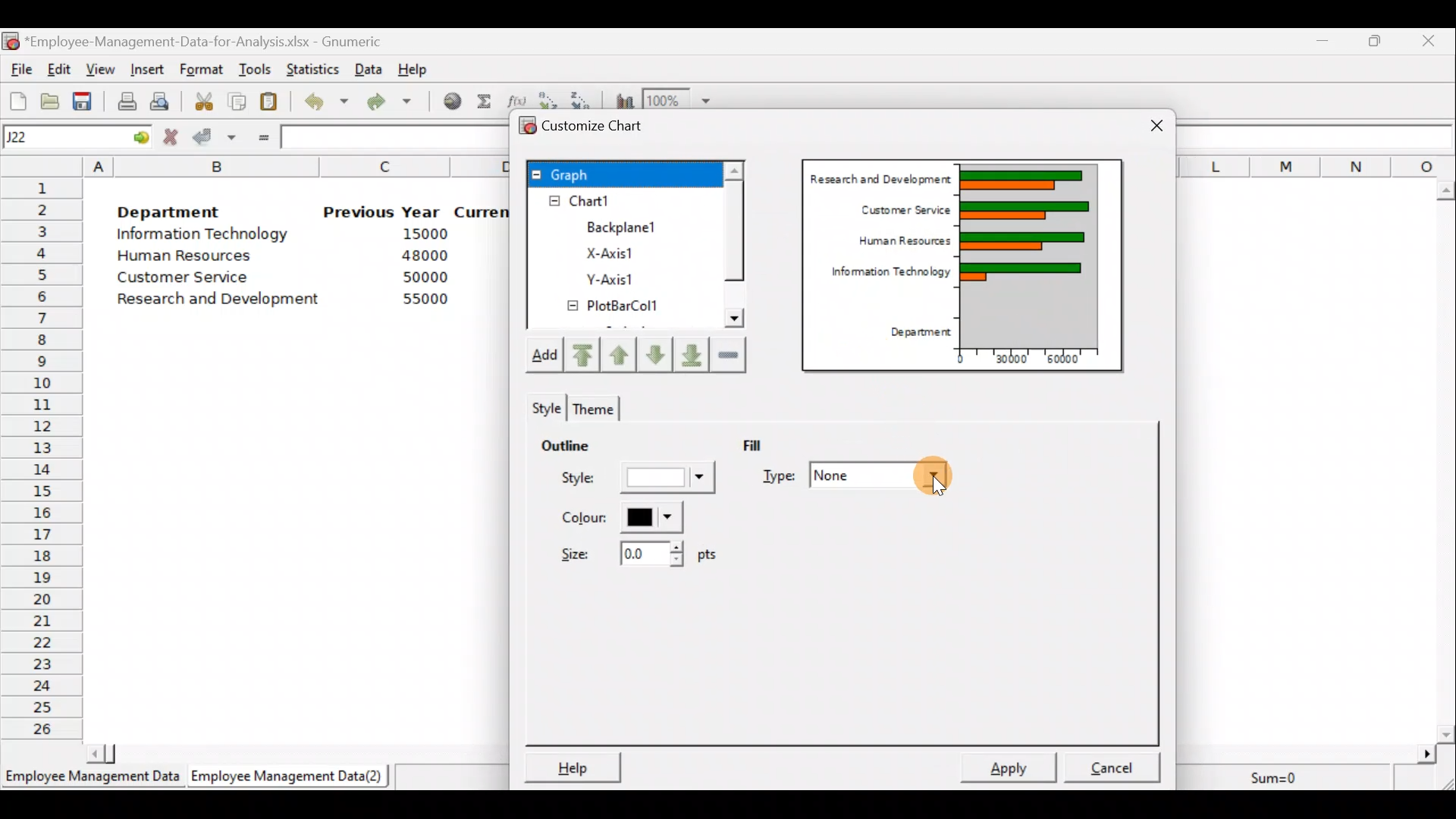 This screenshot has height=819, width=1456. I want to click on Customize chart, so click(591, 124).